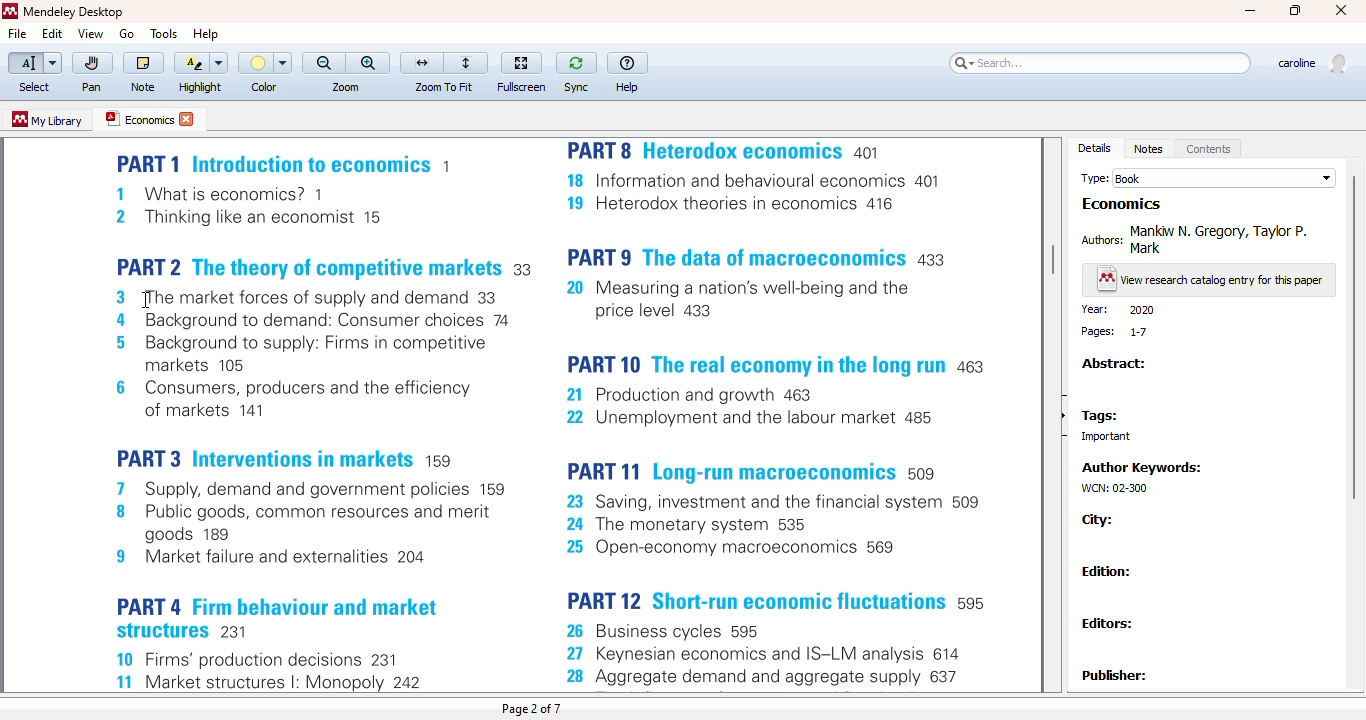  Describe the element at coordinates (9, 11) in the screenshot. I see `logo` at that location.